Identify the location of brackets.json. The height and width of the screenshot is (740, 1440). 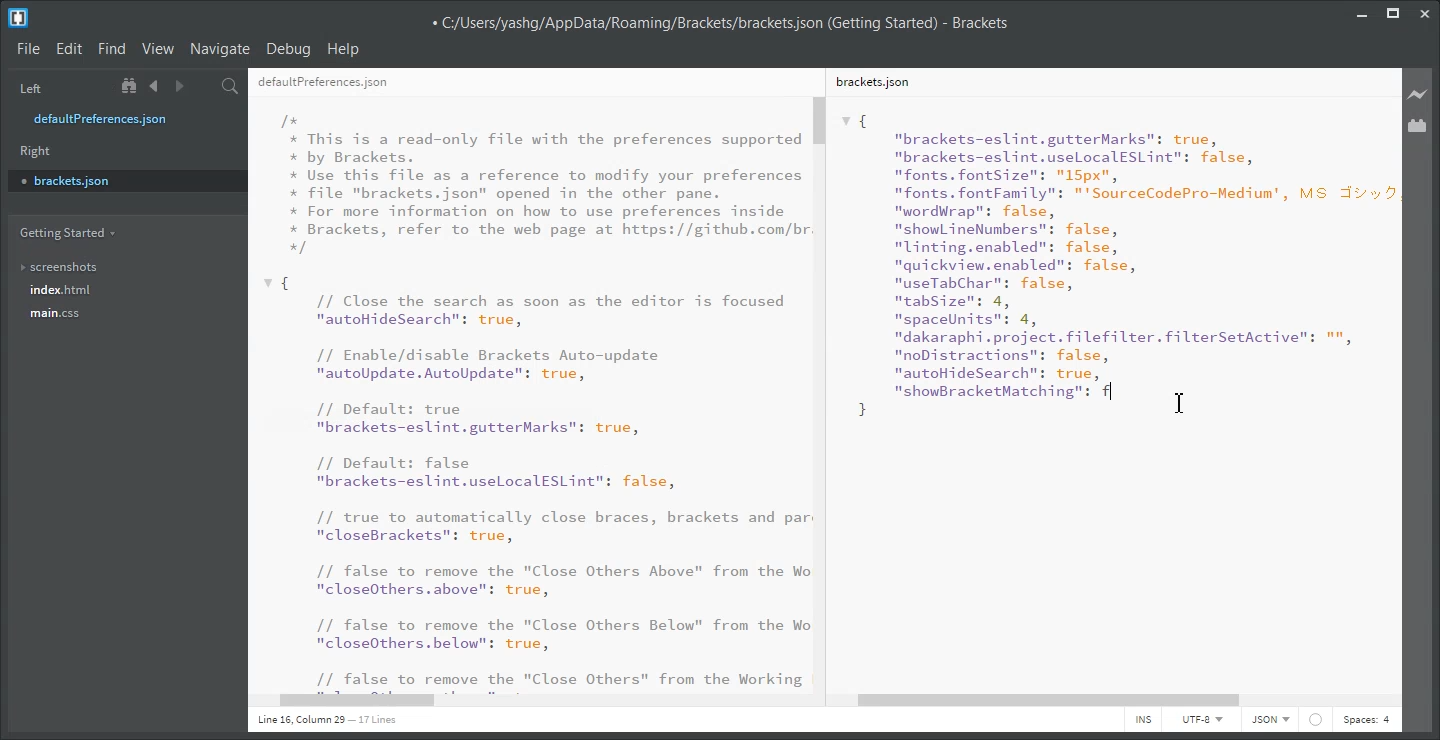
(871, 81).